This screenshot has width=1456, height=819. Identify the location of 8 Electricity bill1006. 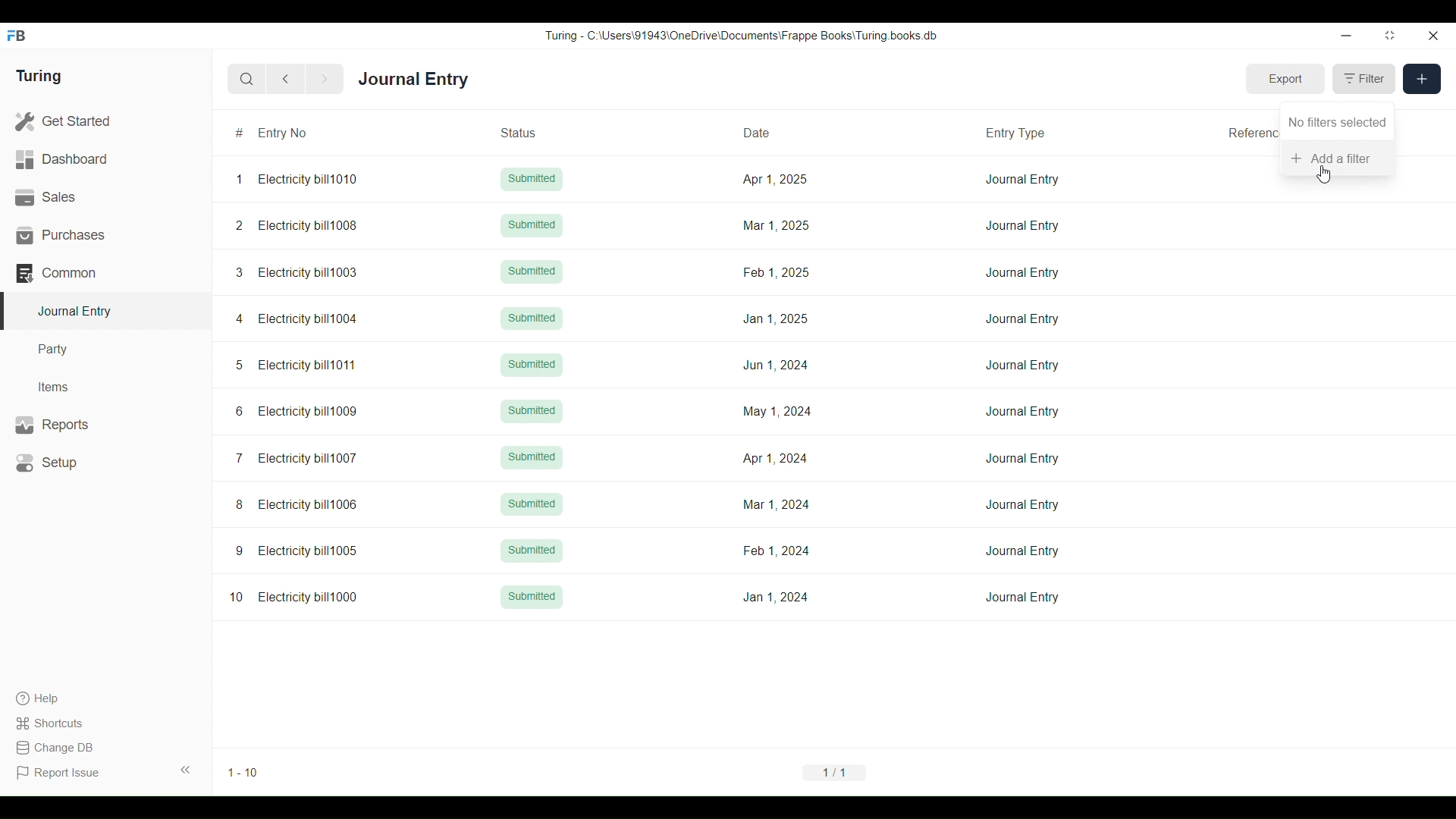
(297, 504).